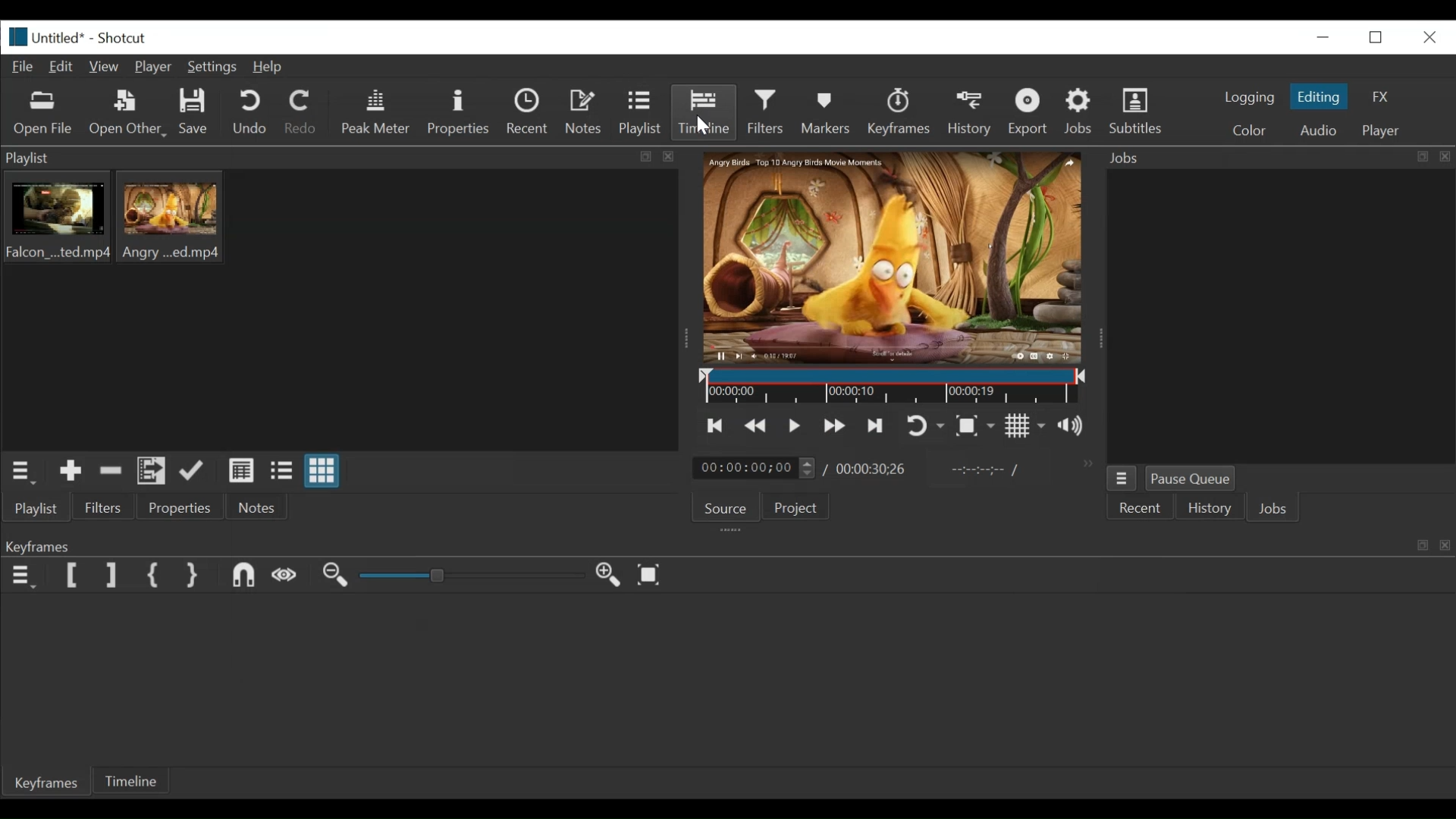 The height and width of the screenshot is (819, 1456). Describe the element at coordinates (121, 39) in the screenshot. I see `Shotcut` at that location.